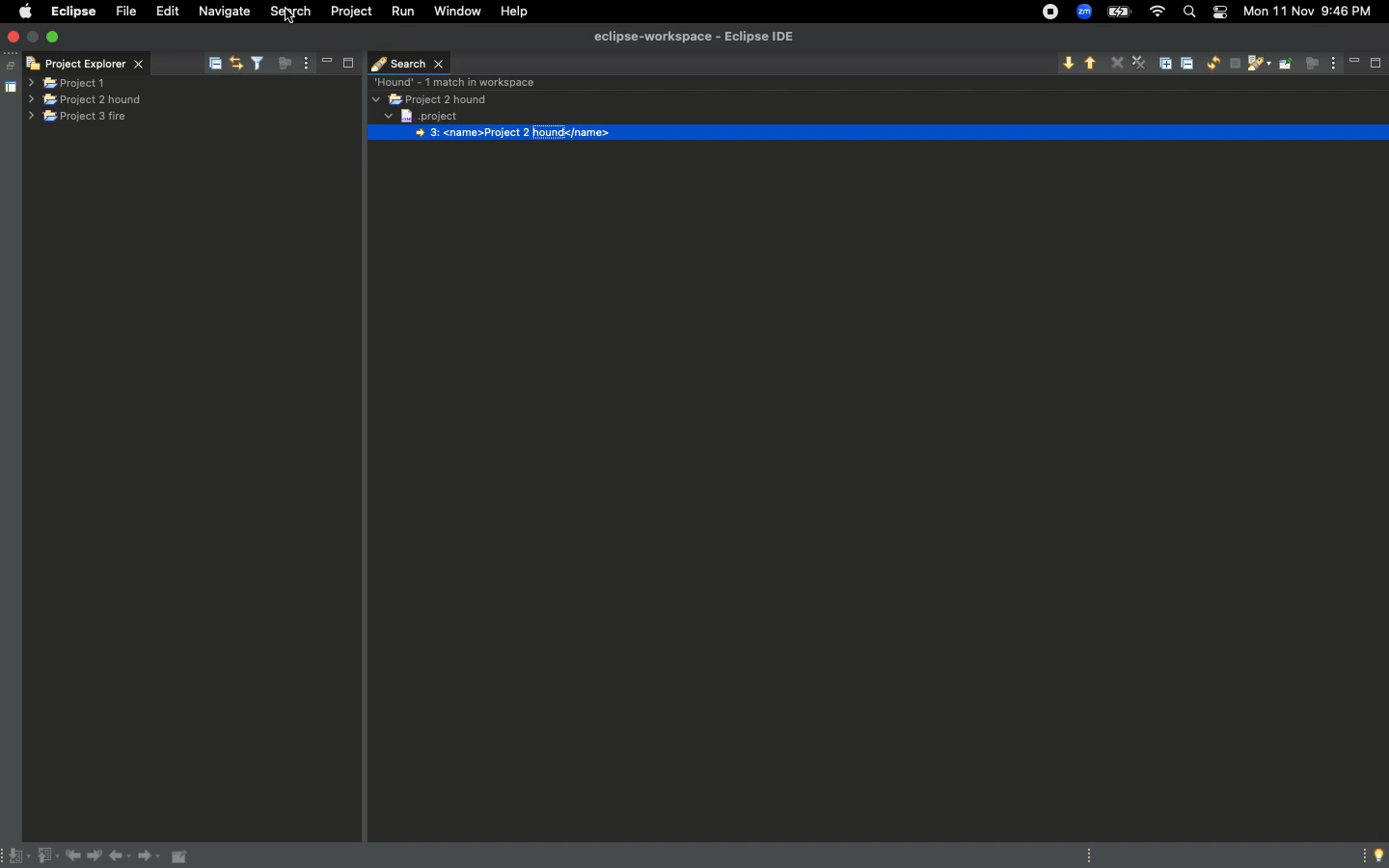  I want to click on Window, so click(458, 12).